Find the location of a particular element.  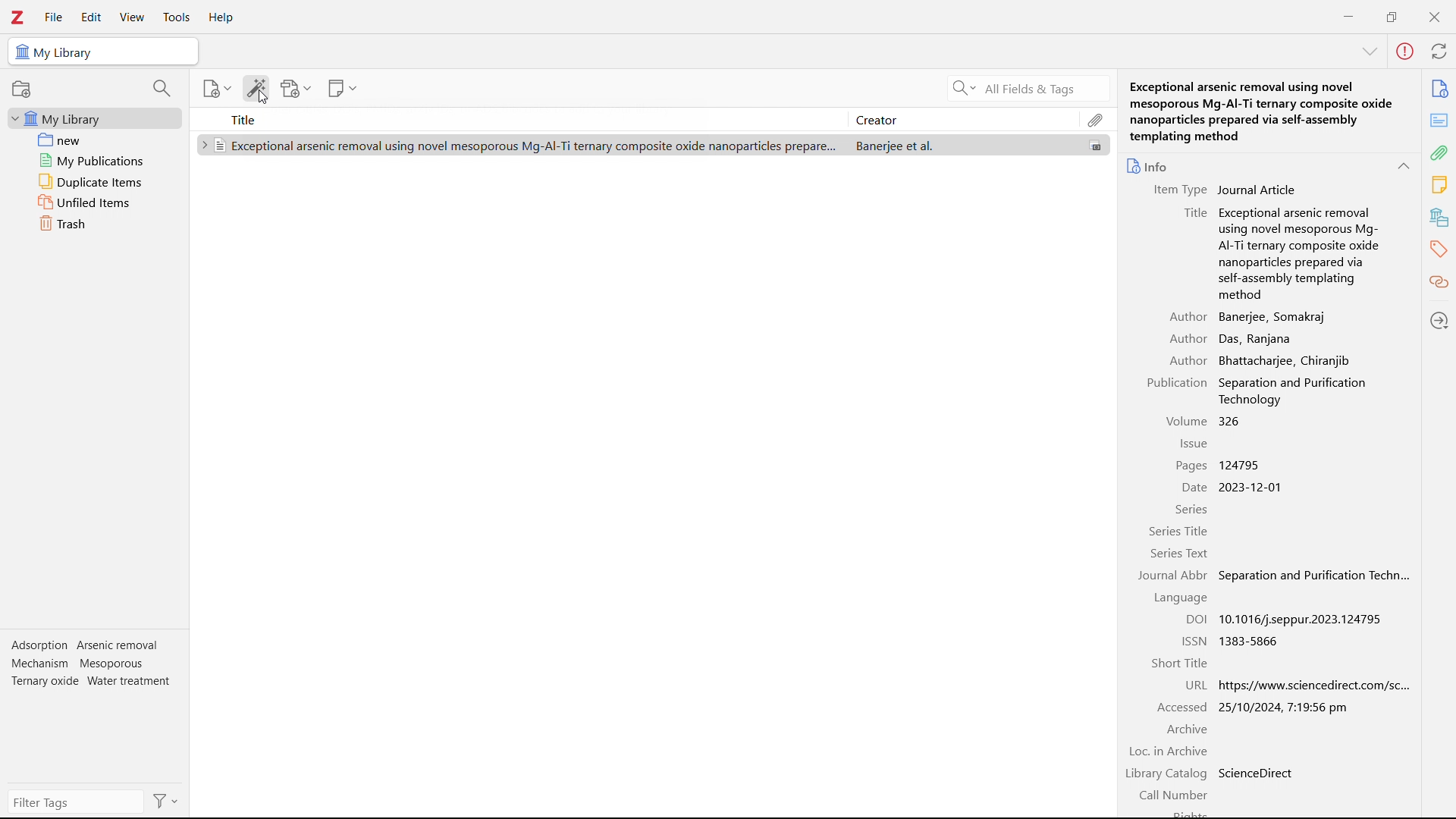

file is located at coordinates (52, 17).